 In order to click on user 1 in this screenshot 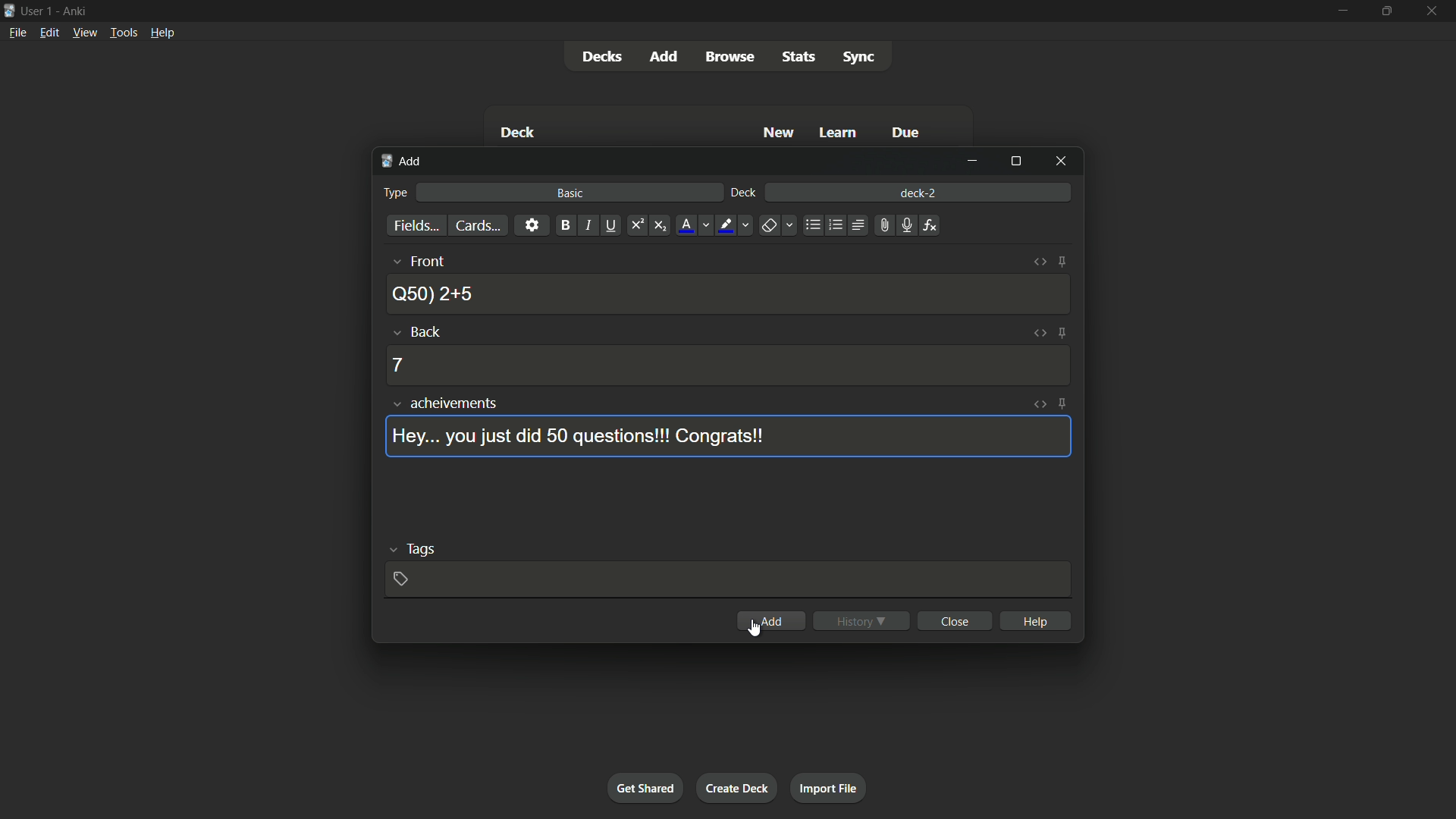, I will do `click(38, 11)`.